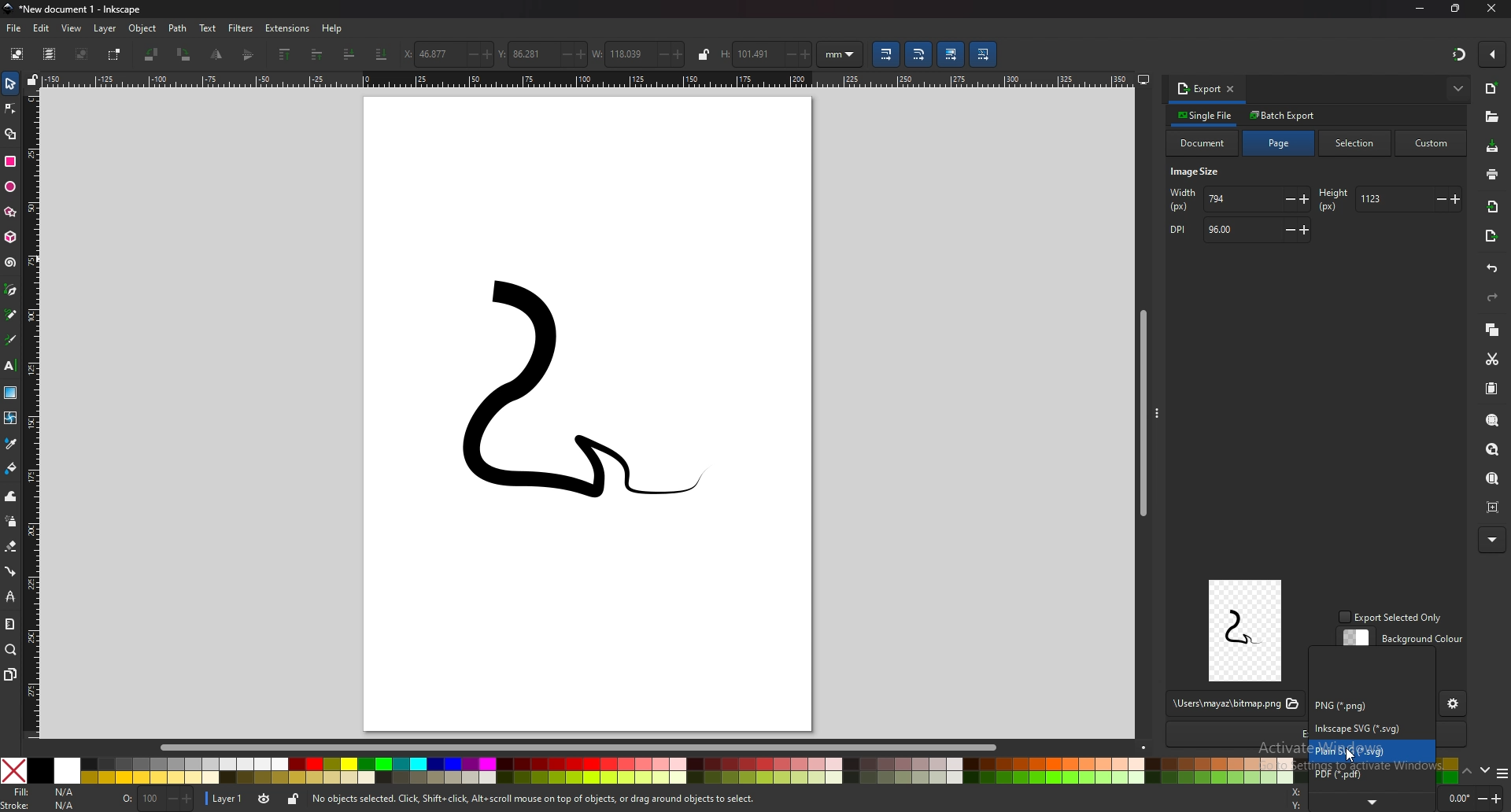  What do you see at coordinates (45, 792) in the screenshot?
I see `fill` at bounding box center [45, 792].